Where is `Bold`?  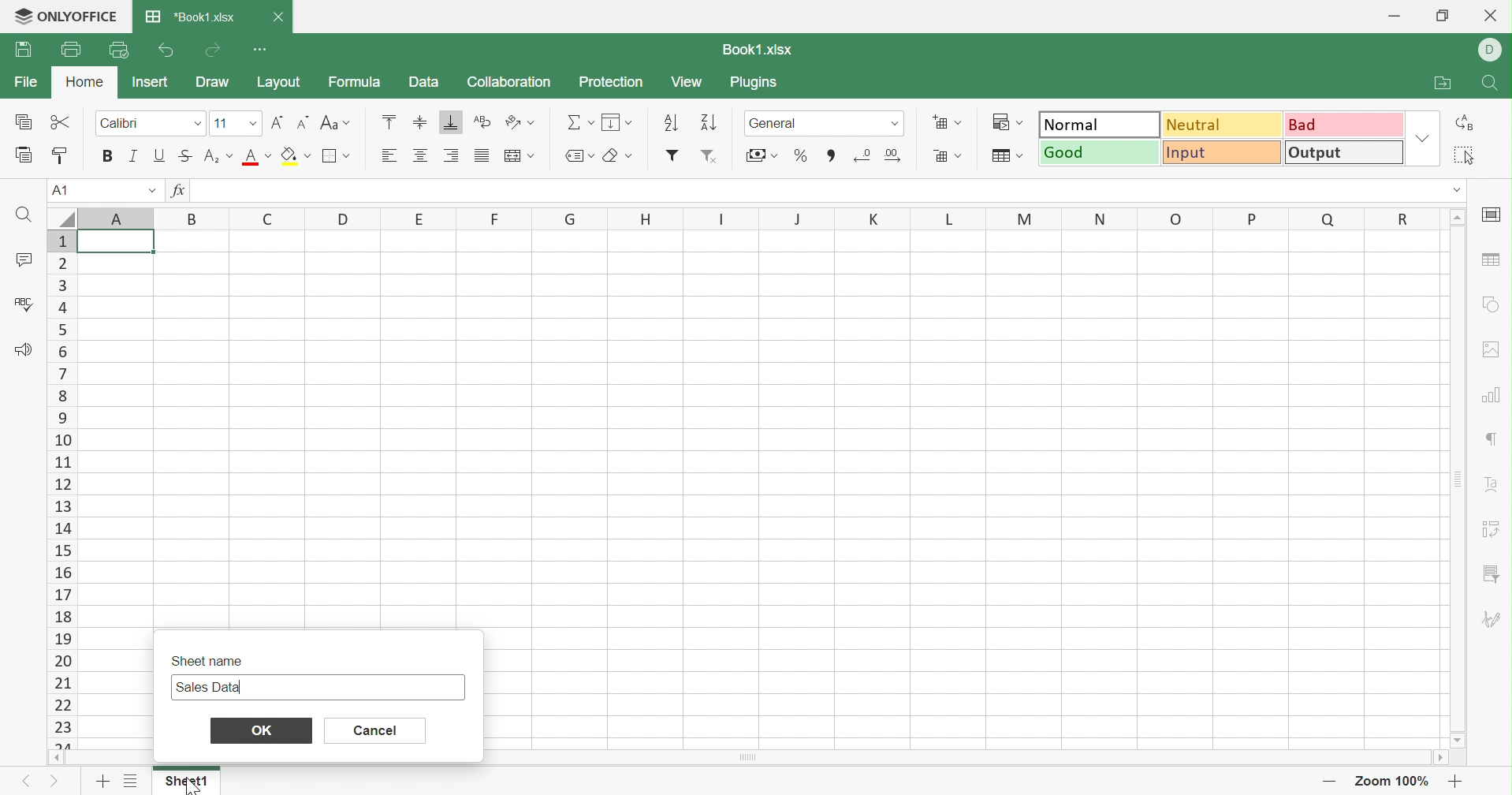
Bold is located at coordinates (106, 156).